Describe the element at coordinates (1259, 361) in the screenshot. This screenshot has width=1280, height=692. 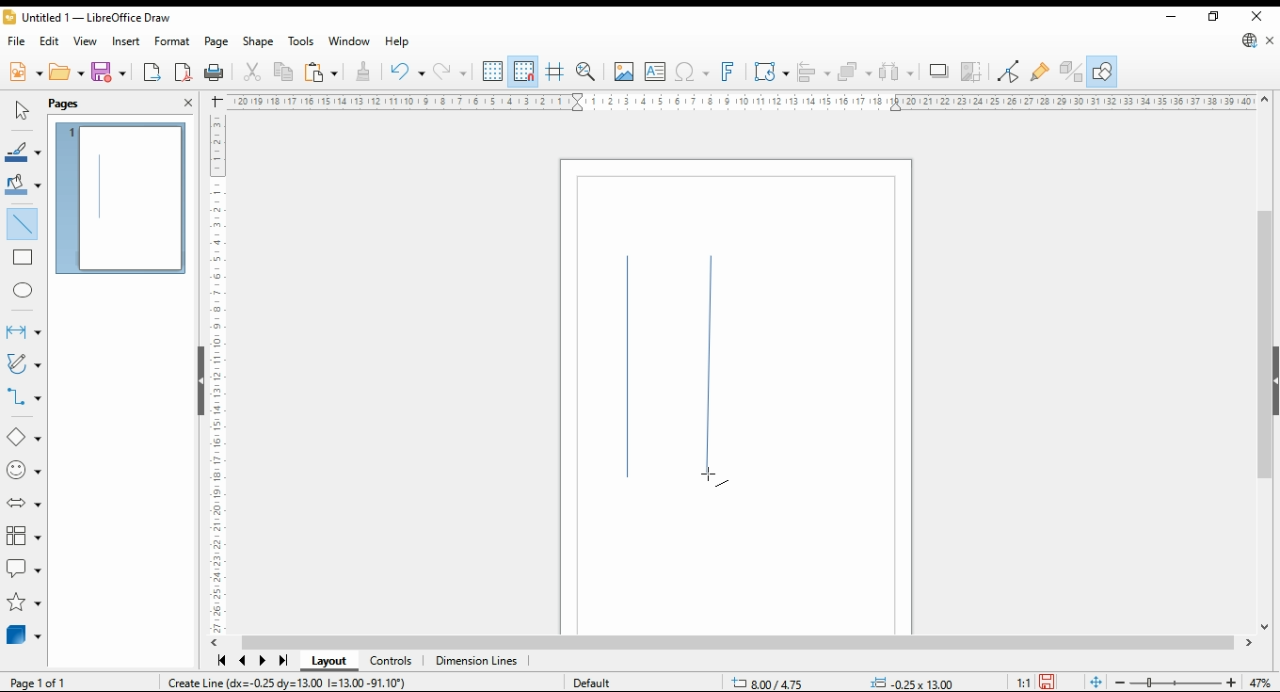
I see `scroll bar` at that location.